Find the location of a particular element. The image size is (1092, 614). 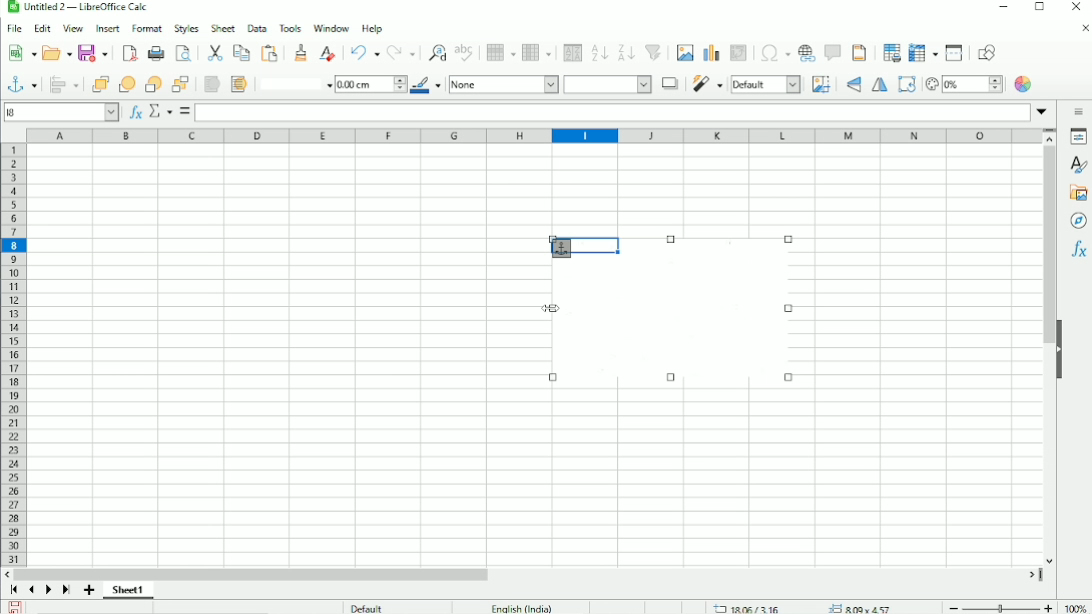

Restore down is located at coordinates (1039, 10).